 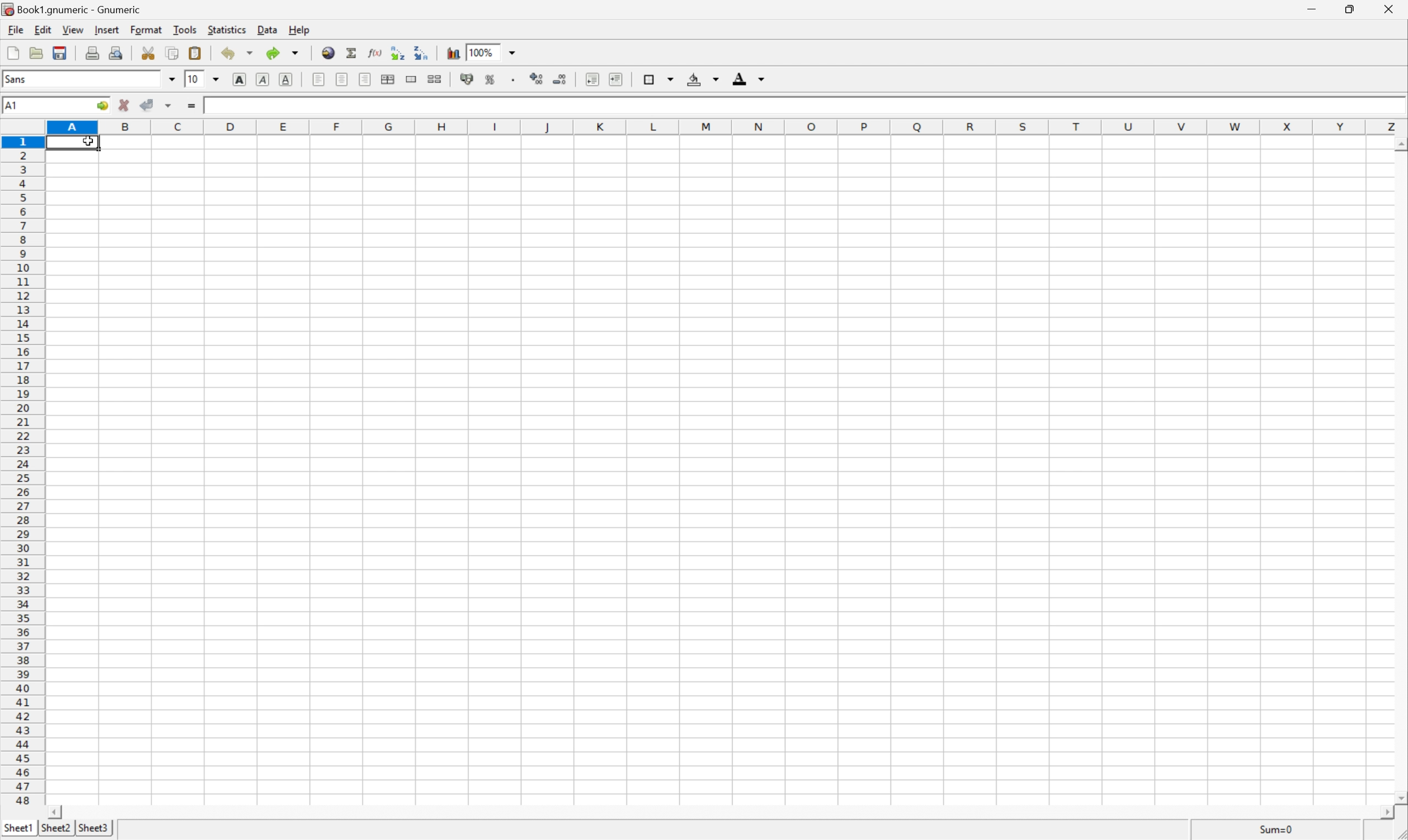 I want to click on Cells, so click(x=741, y=480).